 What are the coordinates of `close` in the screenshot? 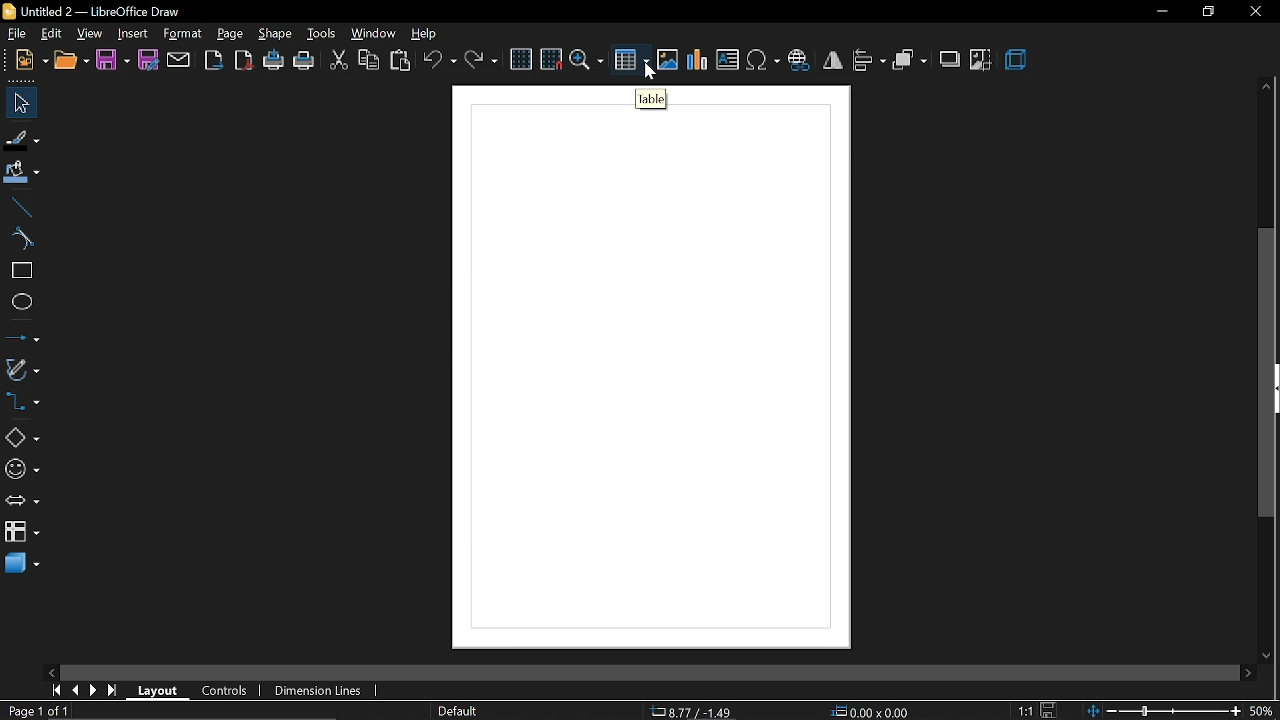 It's located at (1255, 12).